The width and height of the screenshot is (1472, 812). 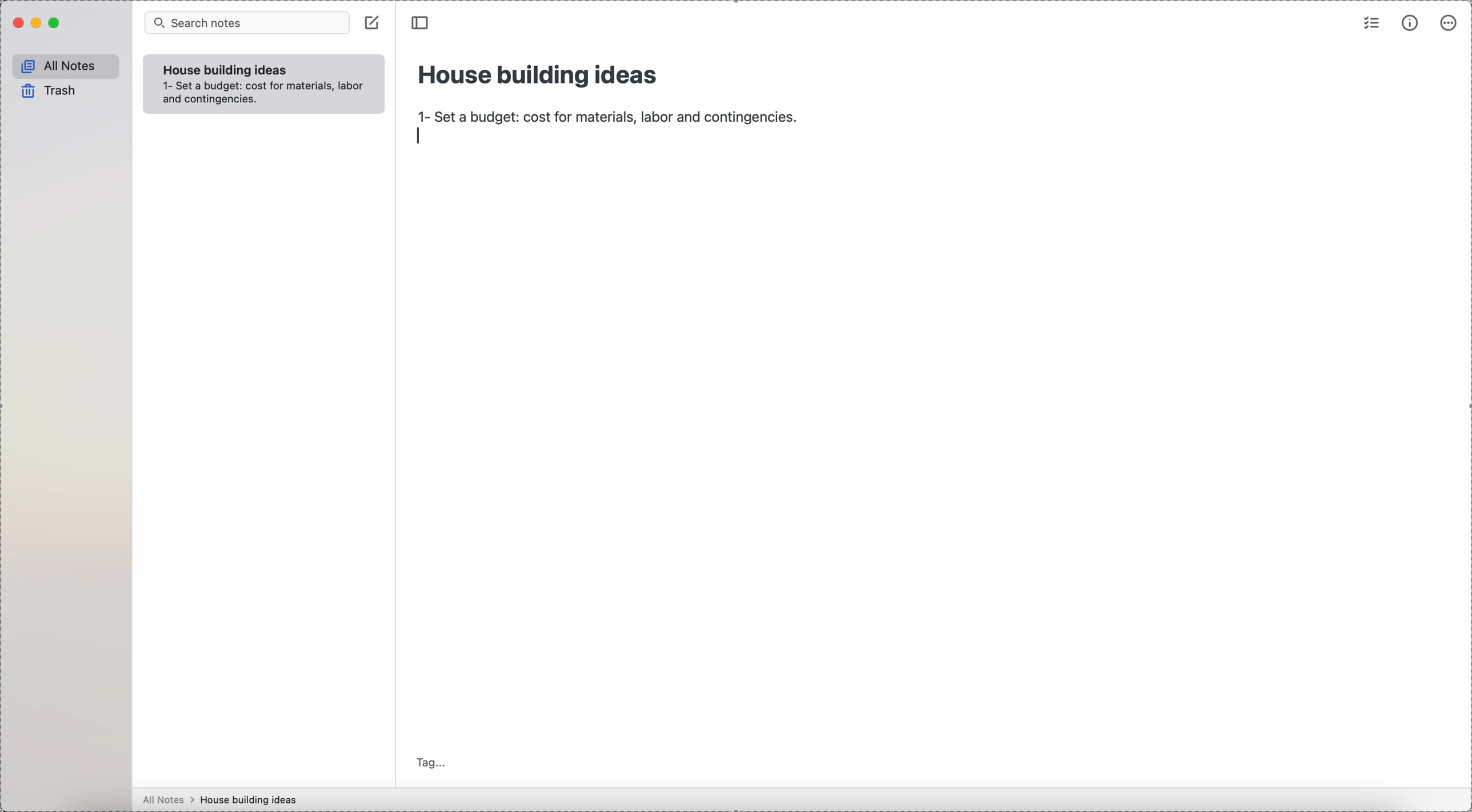 What do you see at coordinates (246, 23) in the screenshot?
I see `search bar` at bounding box center [246, 23].